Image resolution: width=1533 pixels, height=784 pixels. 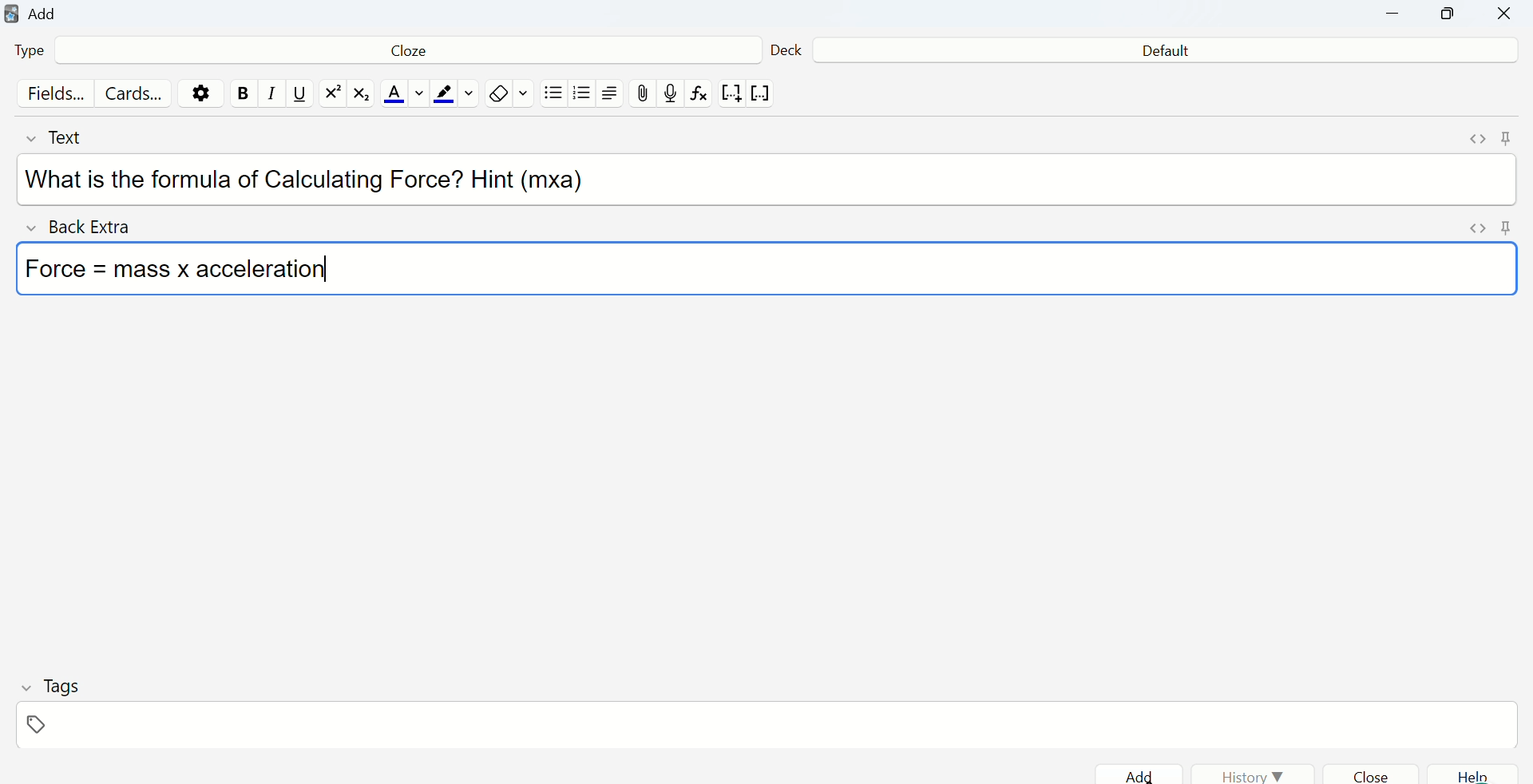 What do you see at coordinates (38, 53) in the screenshot?
I see `Type` at bounding box center [38, 53].